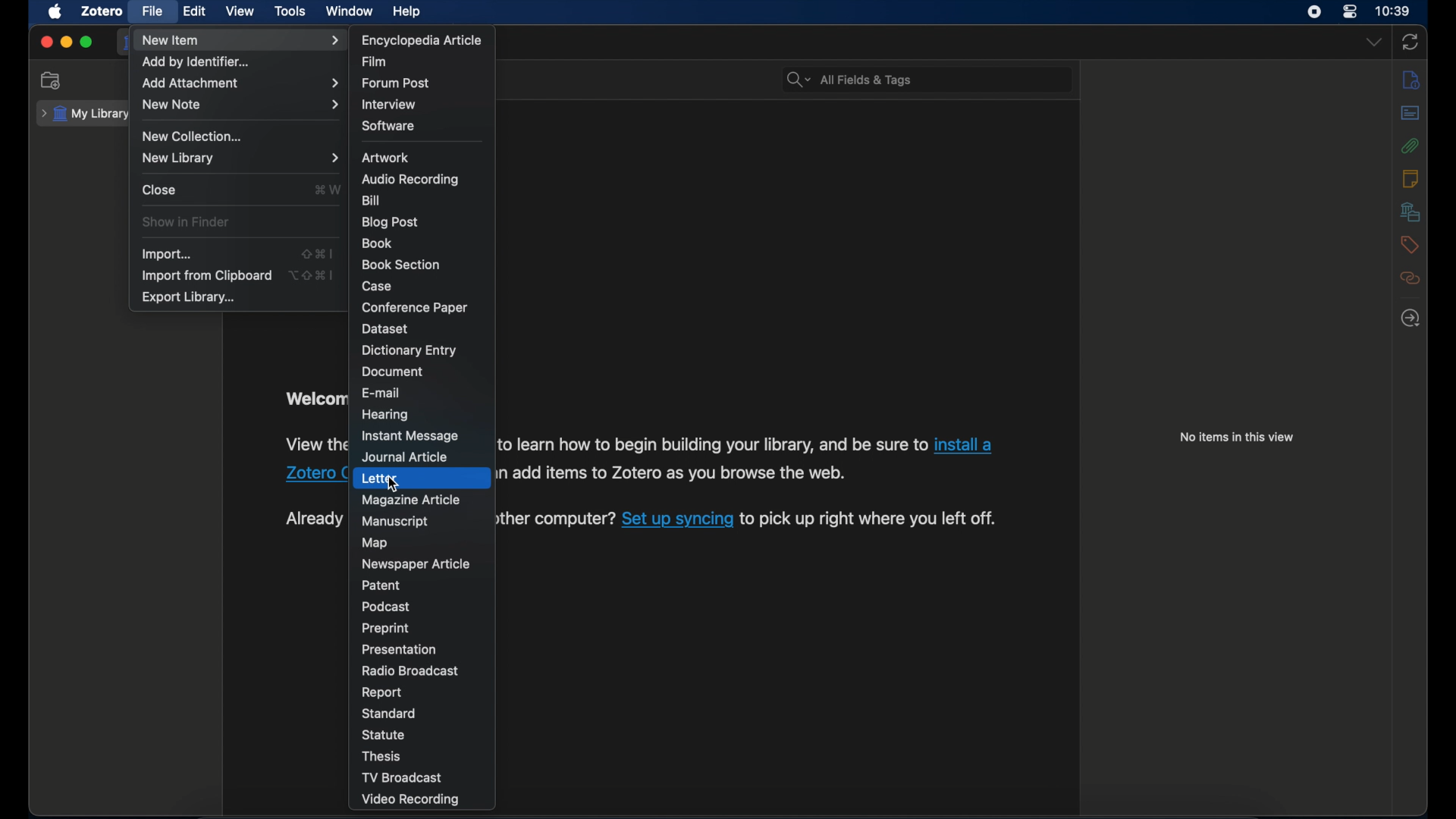 The image size is (1456, 819). I want to click on bill, so click(372, 200).